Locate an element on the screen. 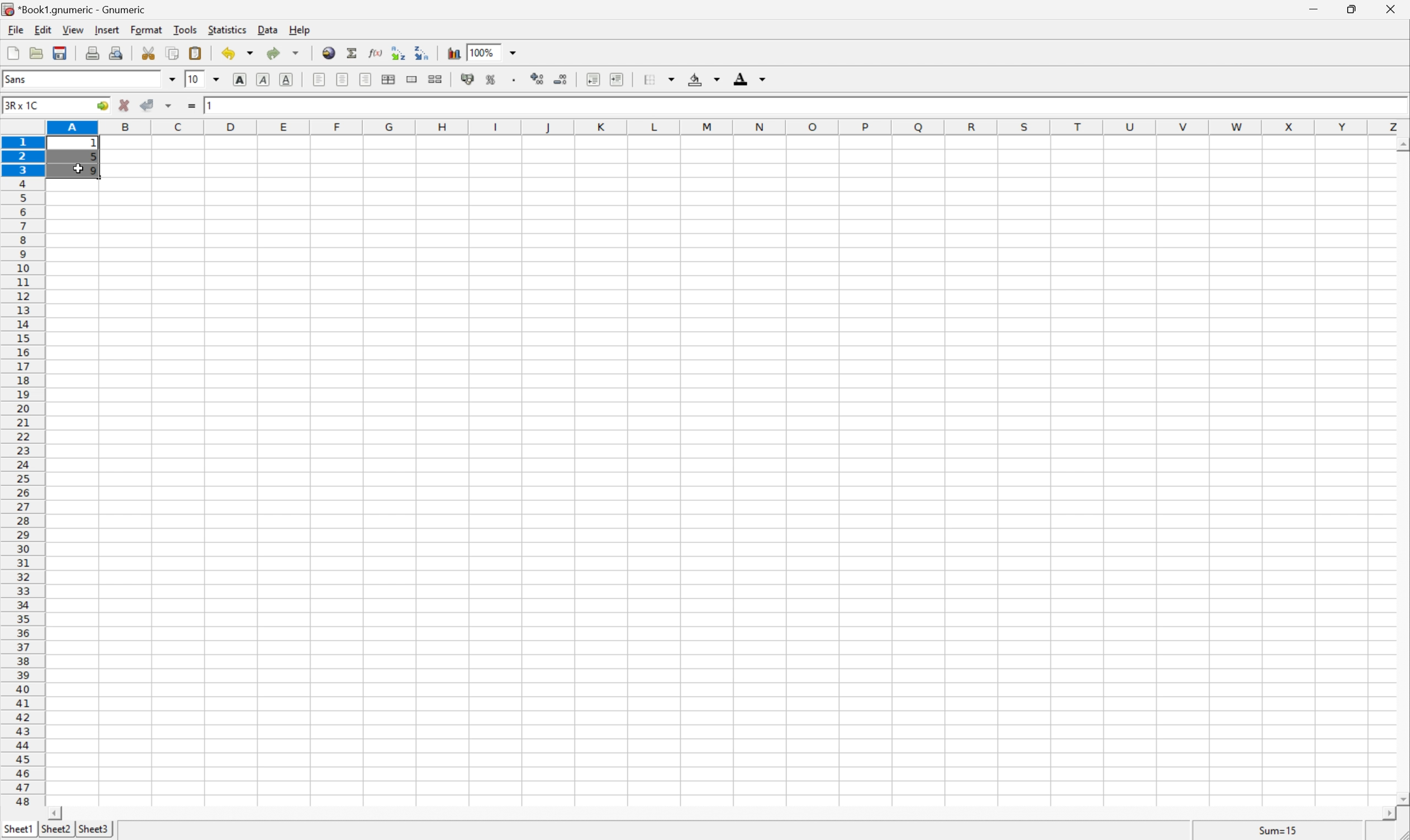  scroll right is located at coordinates (1388, 814).